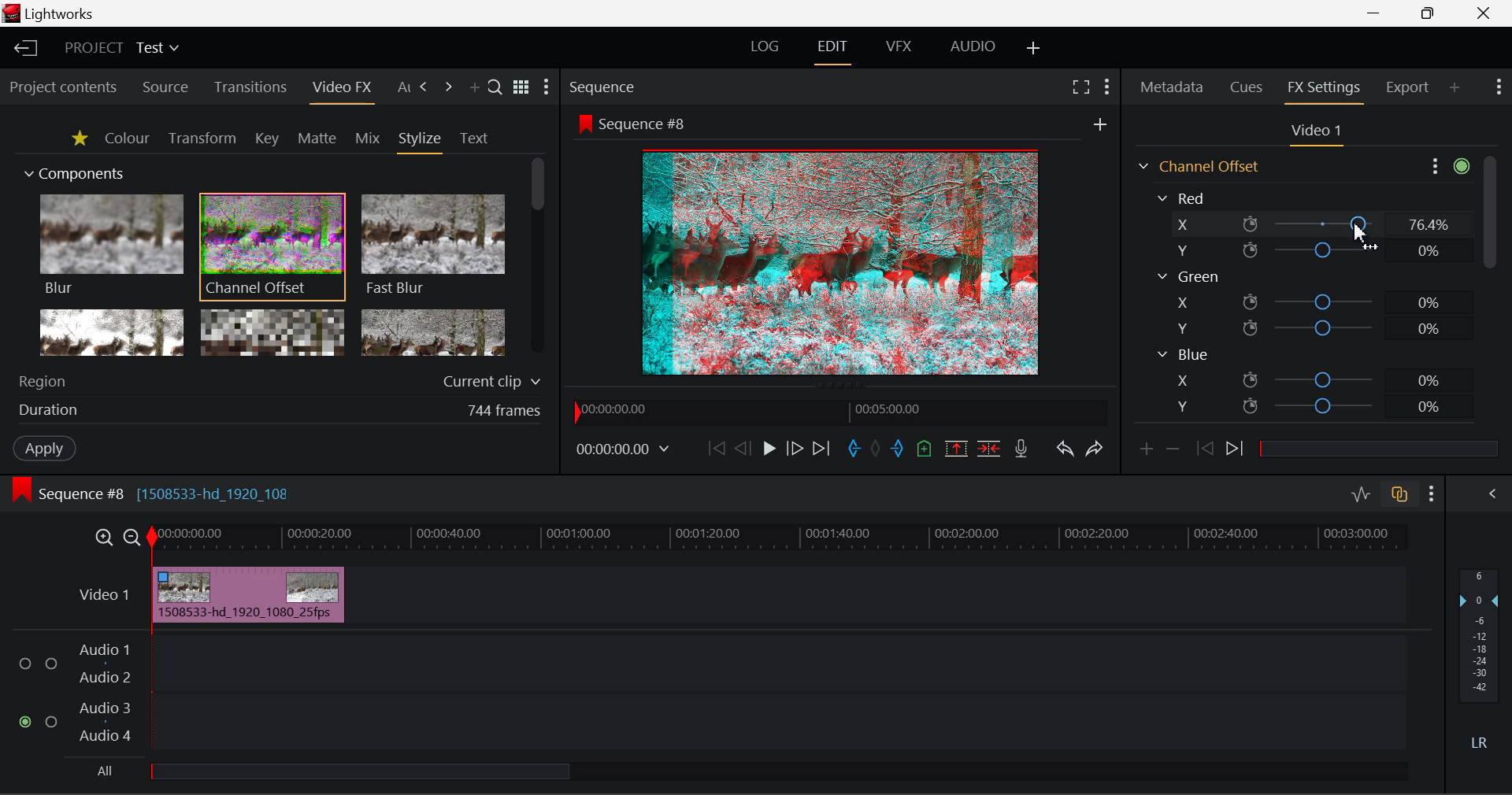 The image size is (1512, 795). I want to click on Back to Homepage, so click(24, 49).